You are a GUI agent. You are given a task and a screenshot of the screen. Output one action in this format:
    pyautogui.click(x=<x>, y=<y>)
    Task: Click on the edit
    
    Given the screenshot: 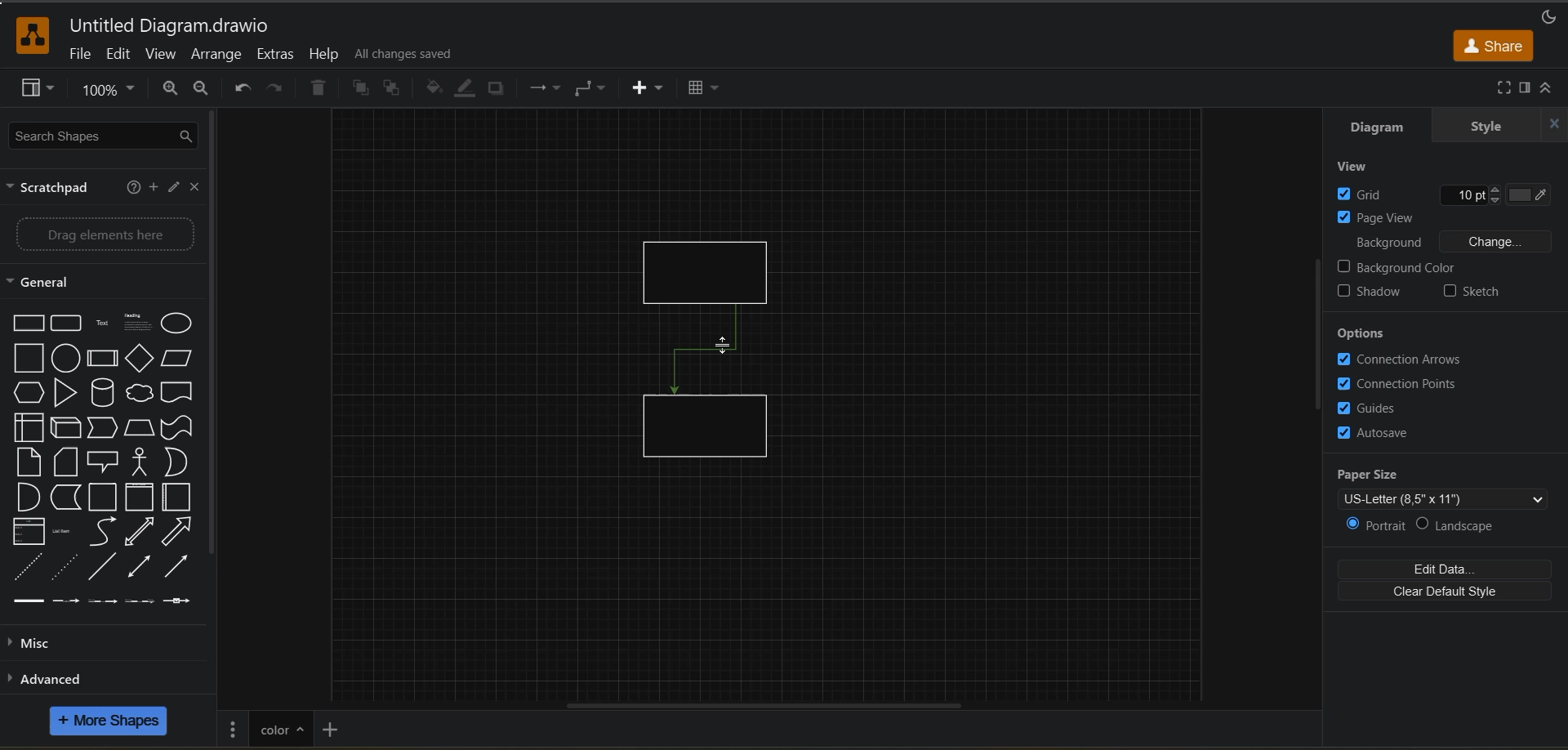 What is the action you would take?
    pyautogui.click(x=120, y=54)
    